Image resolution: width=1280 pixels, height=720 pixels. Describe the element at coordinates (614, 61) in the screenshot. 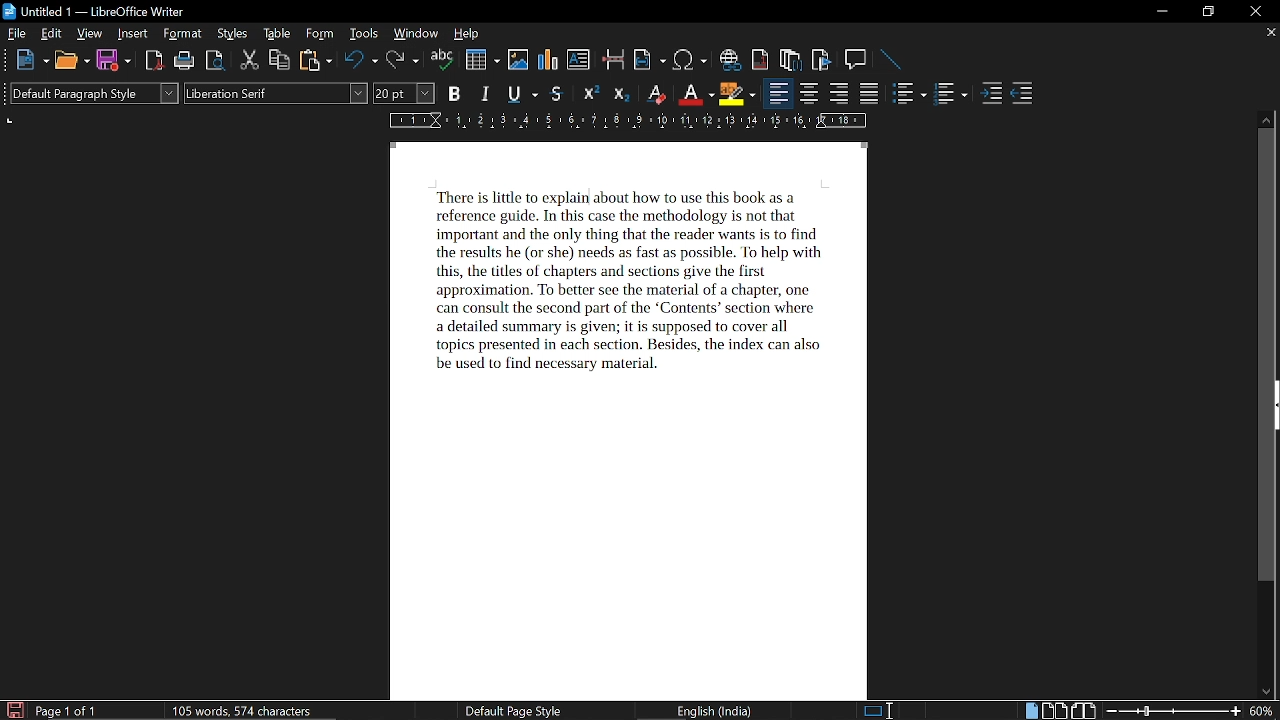

I see `insert page break` at that location.